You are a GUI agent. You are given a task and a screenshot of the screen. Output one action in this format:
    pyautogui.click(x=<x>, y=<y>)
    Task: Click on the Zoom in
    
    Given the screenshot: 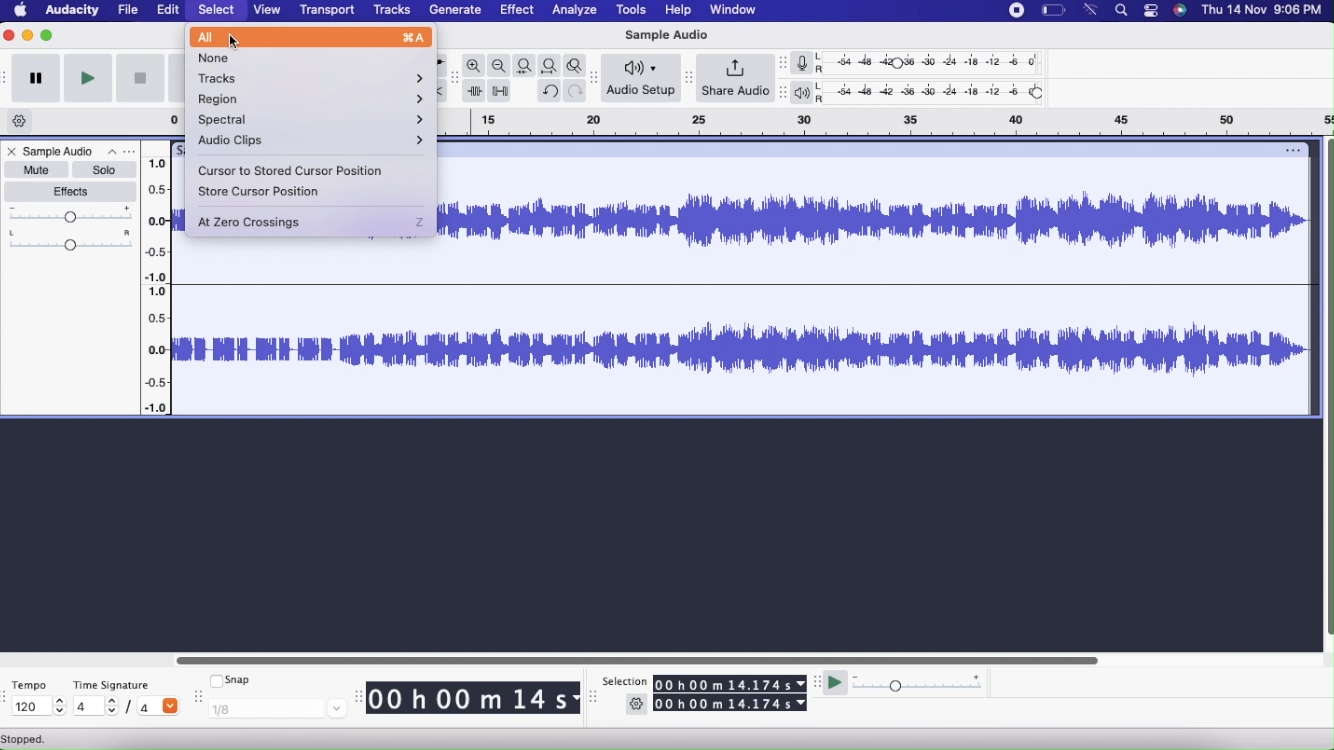 What is the action you would take?
    pyautogui.click(x=474, y=65)
    